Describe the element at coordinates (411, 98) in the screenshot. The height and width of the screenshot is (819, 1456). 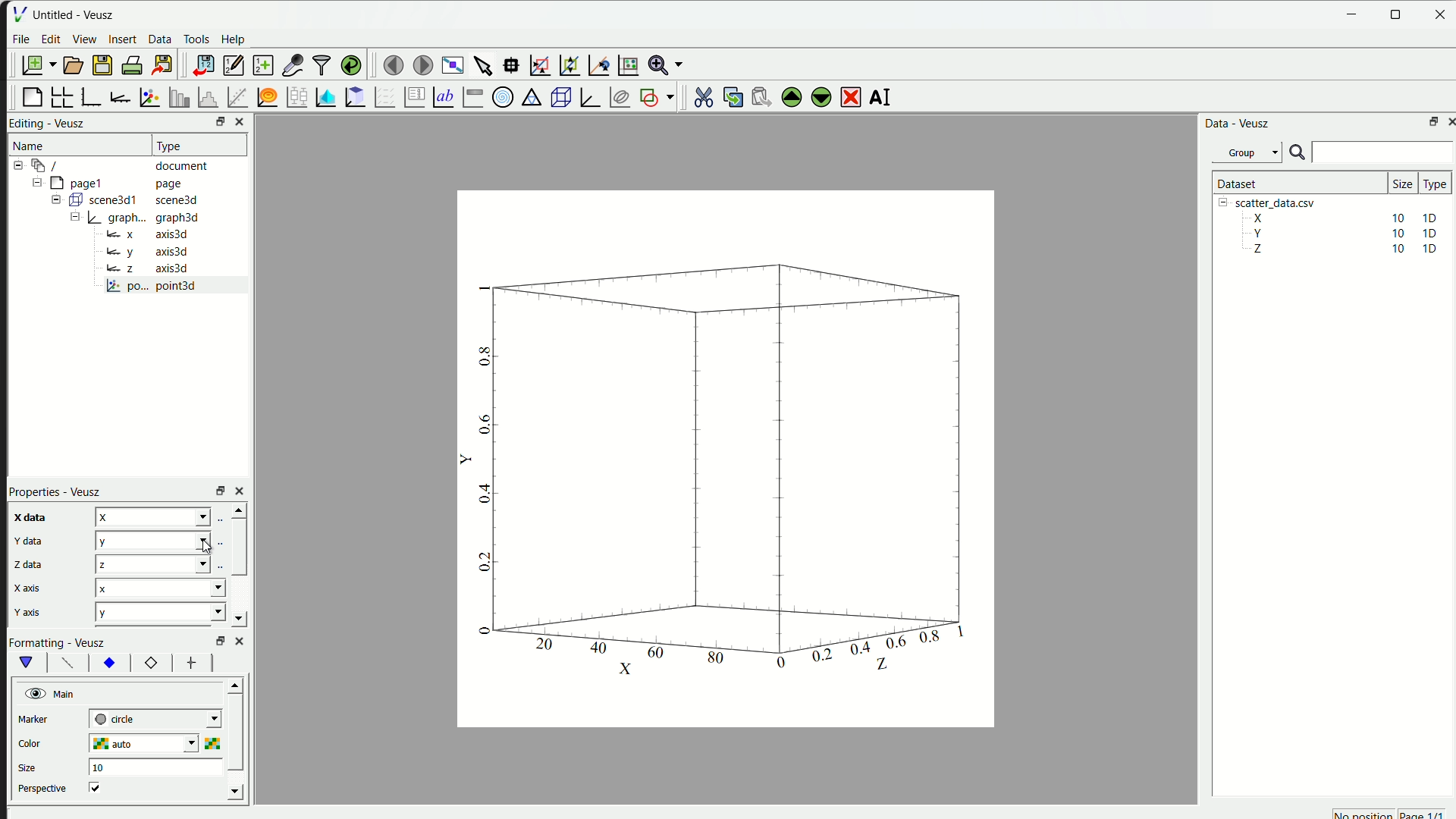
I see `plot key` at that location.